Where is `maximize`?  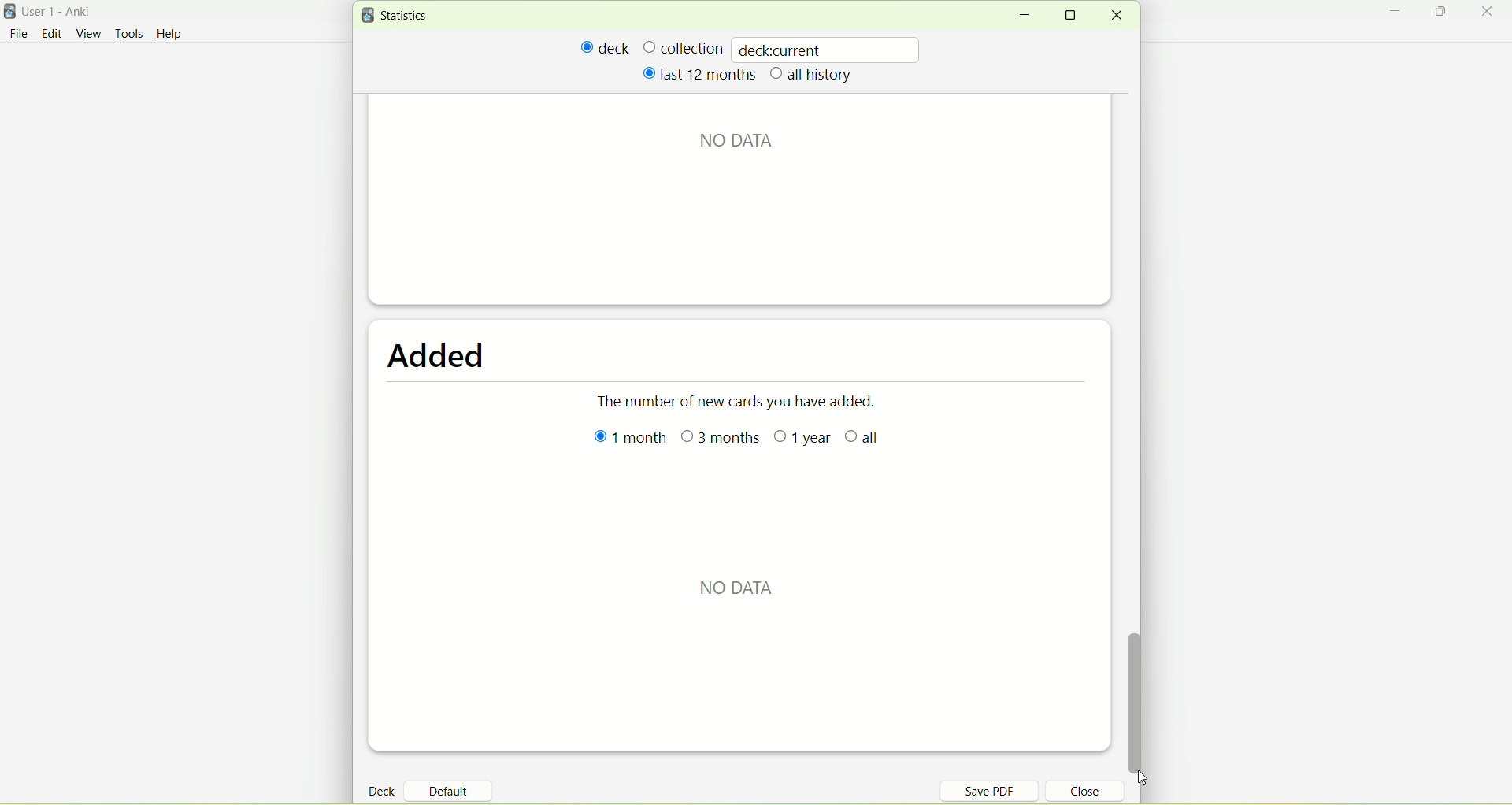
maximize is located at coordinates (1076, 15).